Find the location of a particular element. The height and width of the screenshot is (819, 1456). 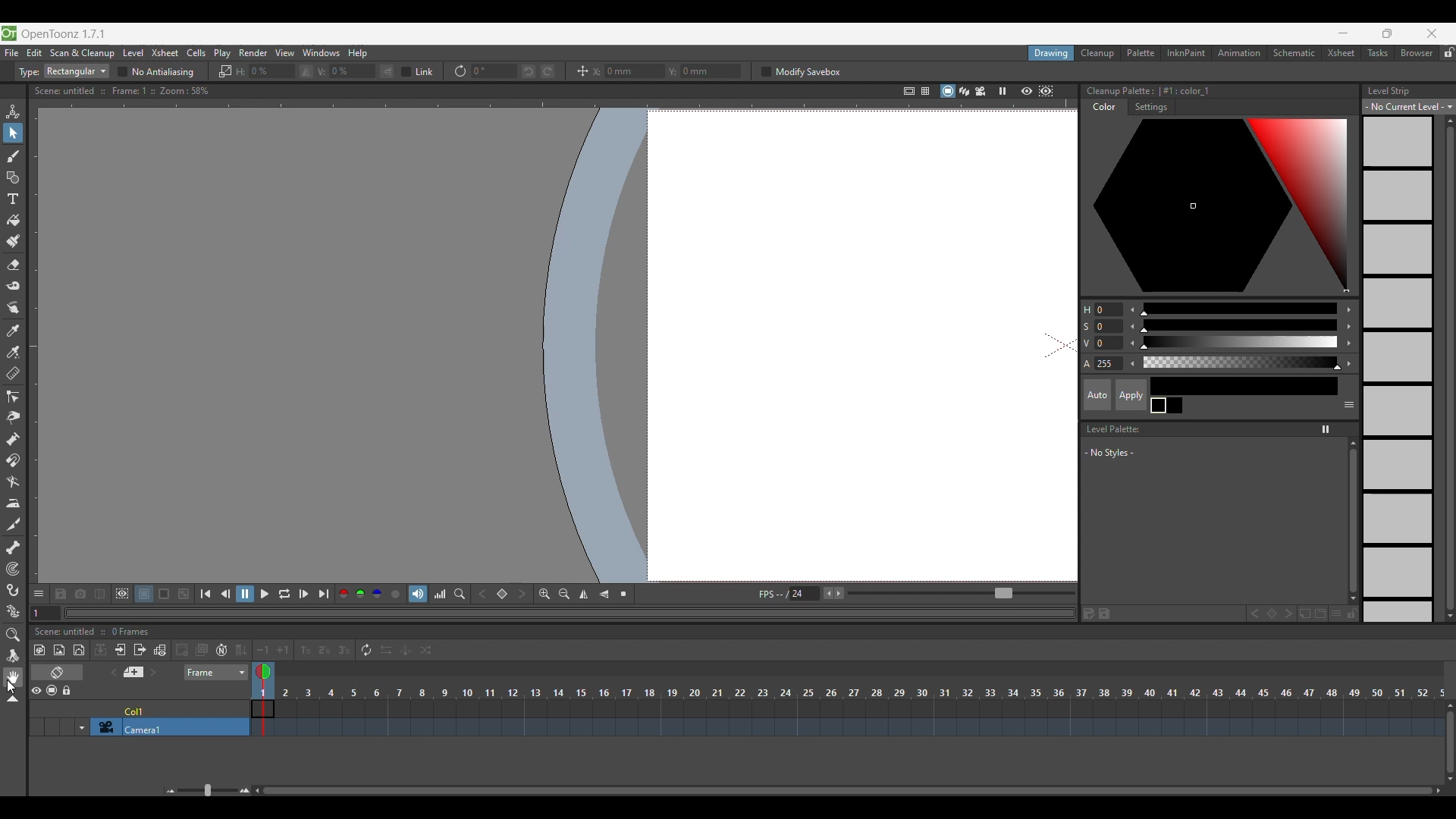

Flip horizontally is located at coordinates (306, 71).